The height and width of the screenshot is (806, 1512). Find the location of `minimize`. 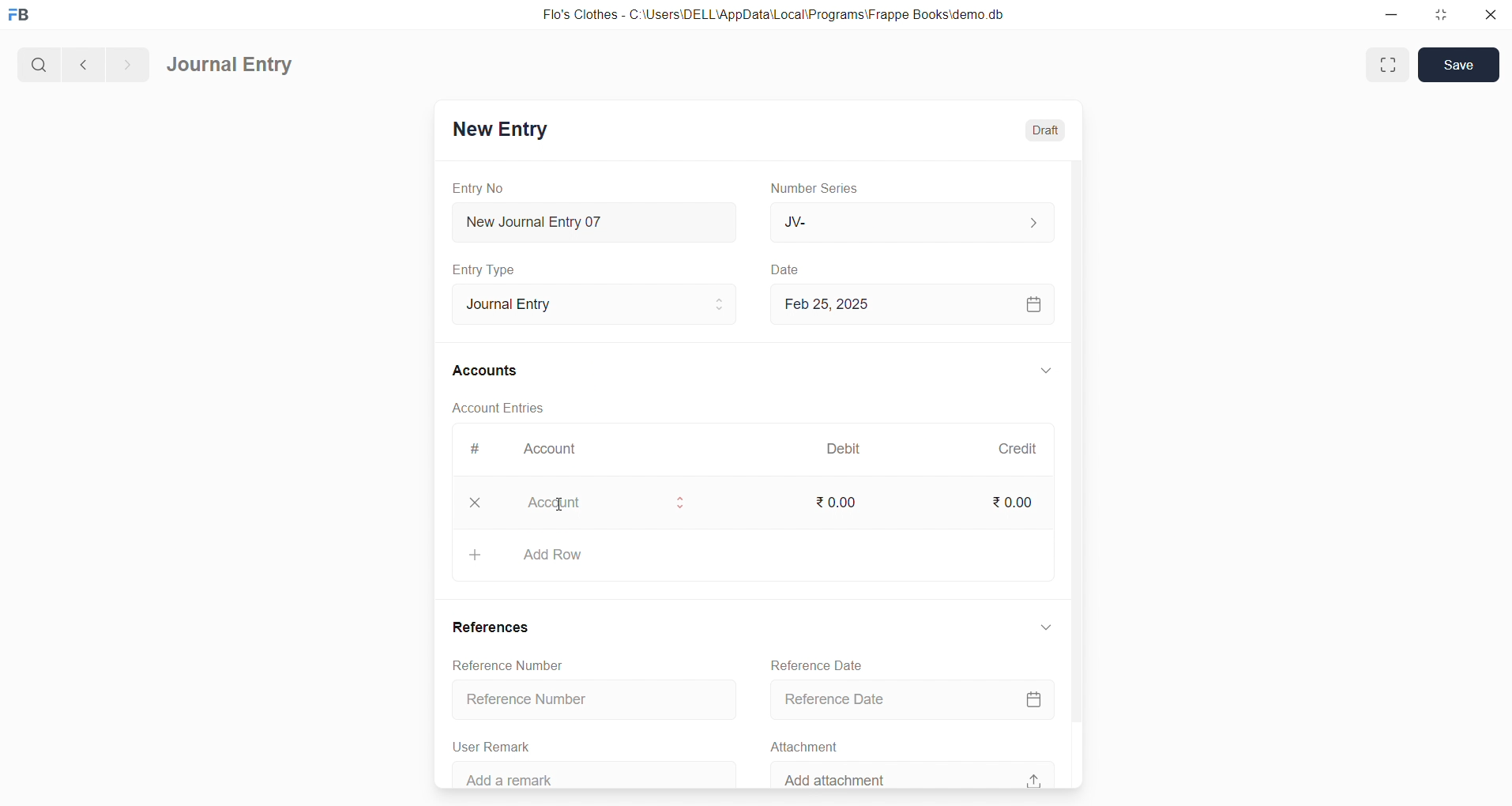

minimize is located at coordinates (1390, 16).